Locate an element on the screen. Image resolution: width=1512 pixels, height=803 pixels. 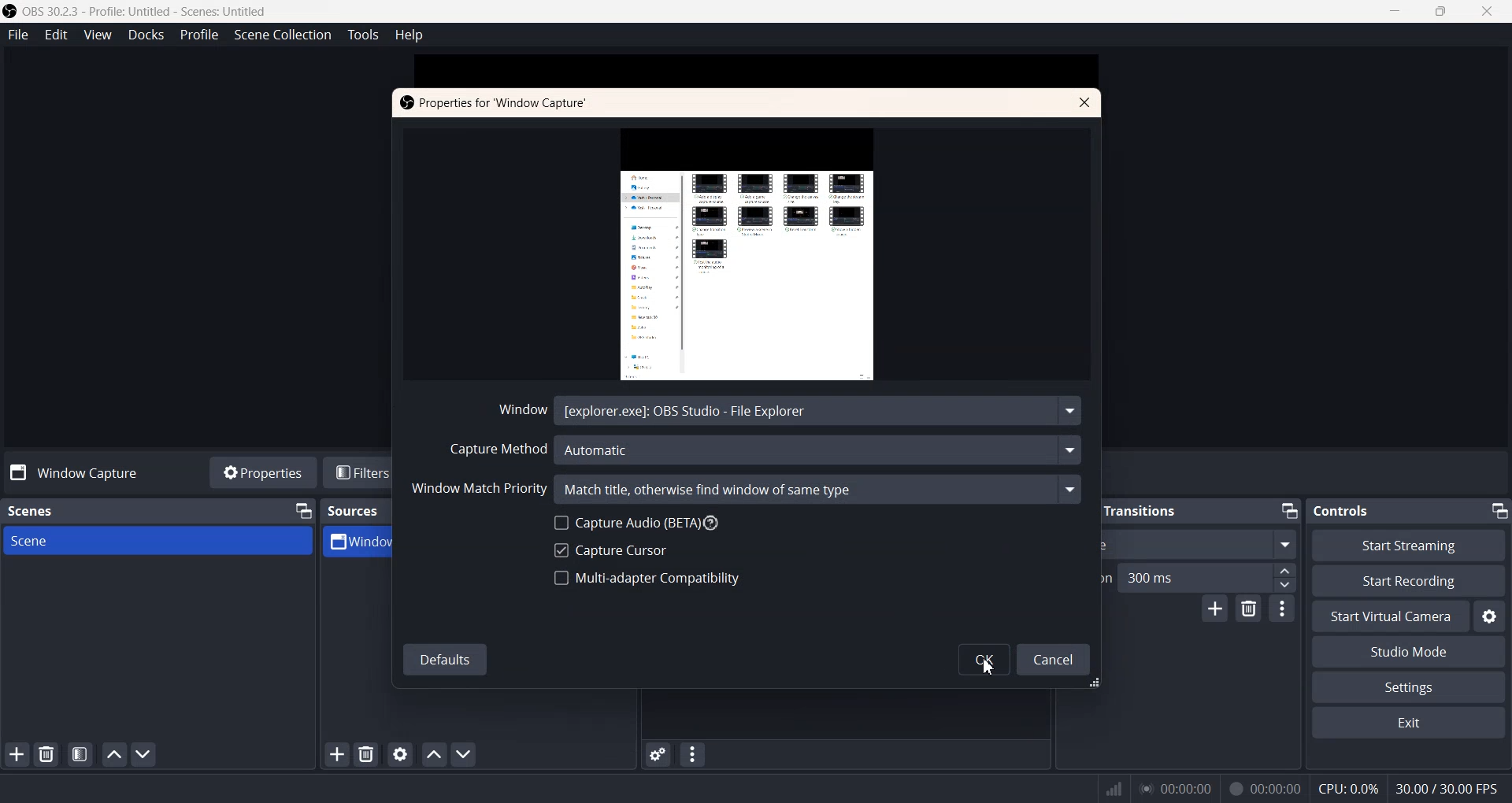
Automatic is located at coordinates (824, 449).